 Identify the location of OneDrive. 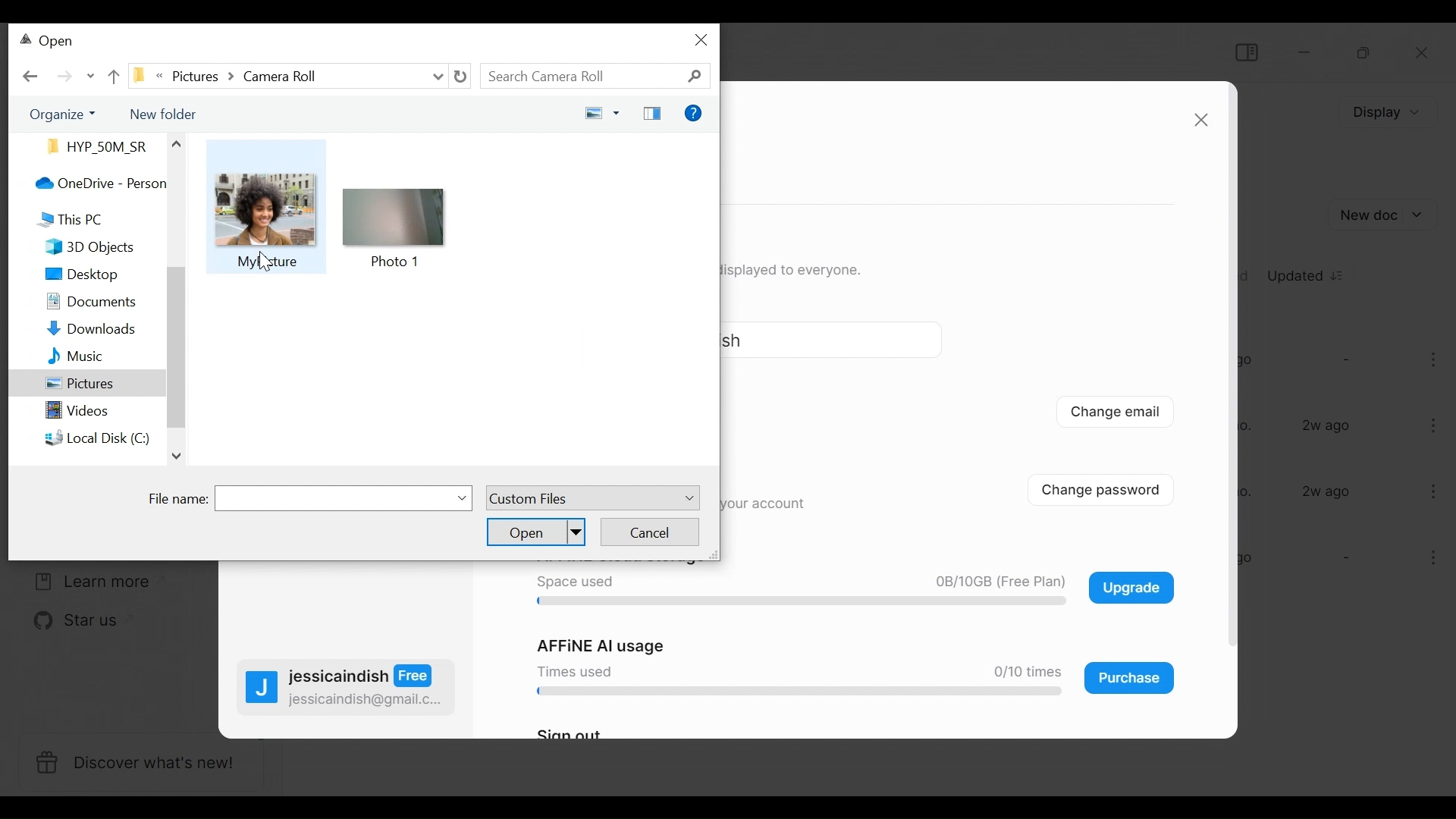
(87, 183).